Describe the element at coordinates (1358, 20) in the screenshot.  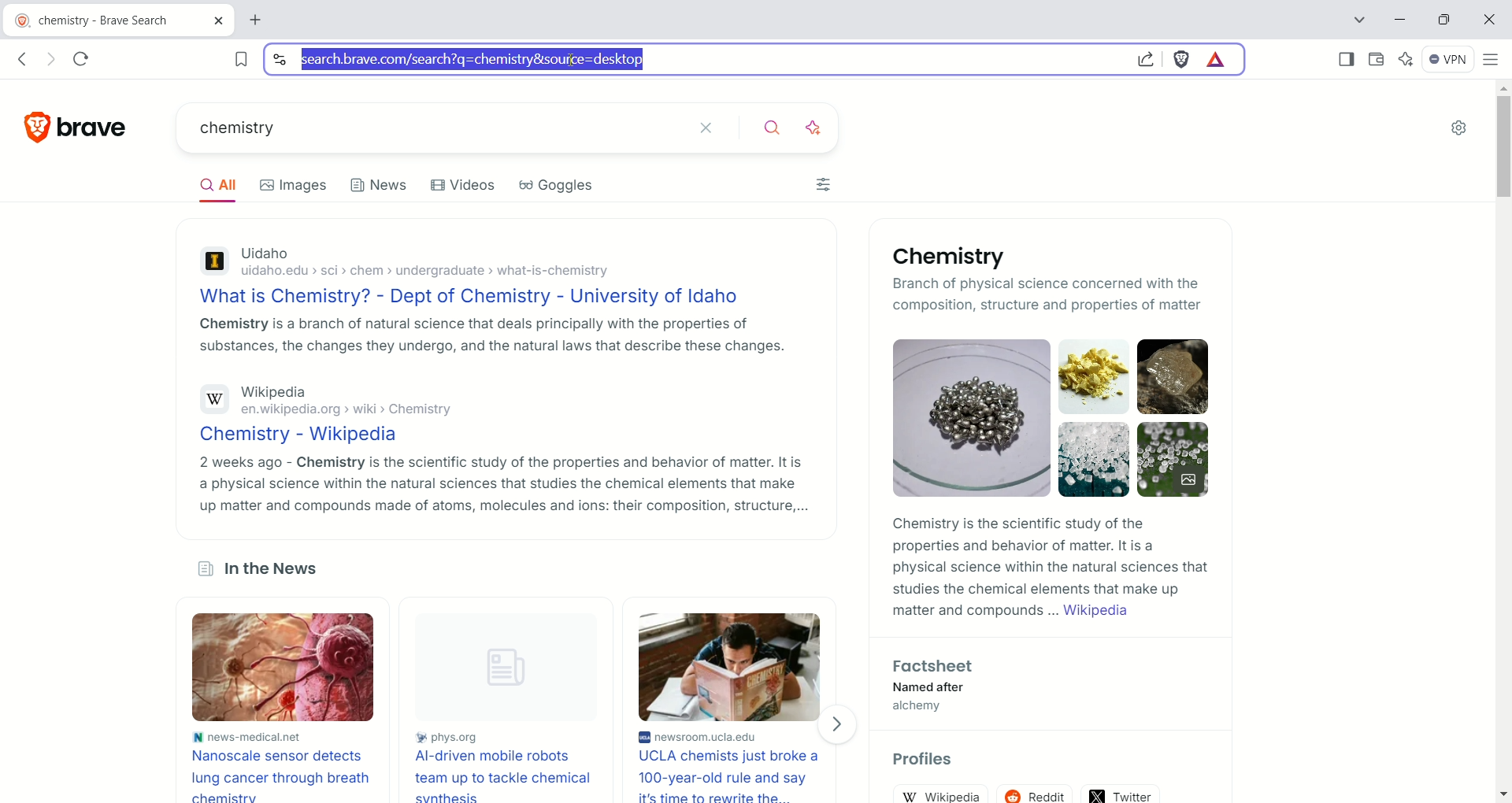
I see `search tab` at that location.